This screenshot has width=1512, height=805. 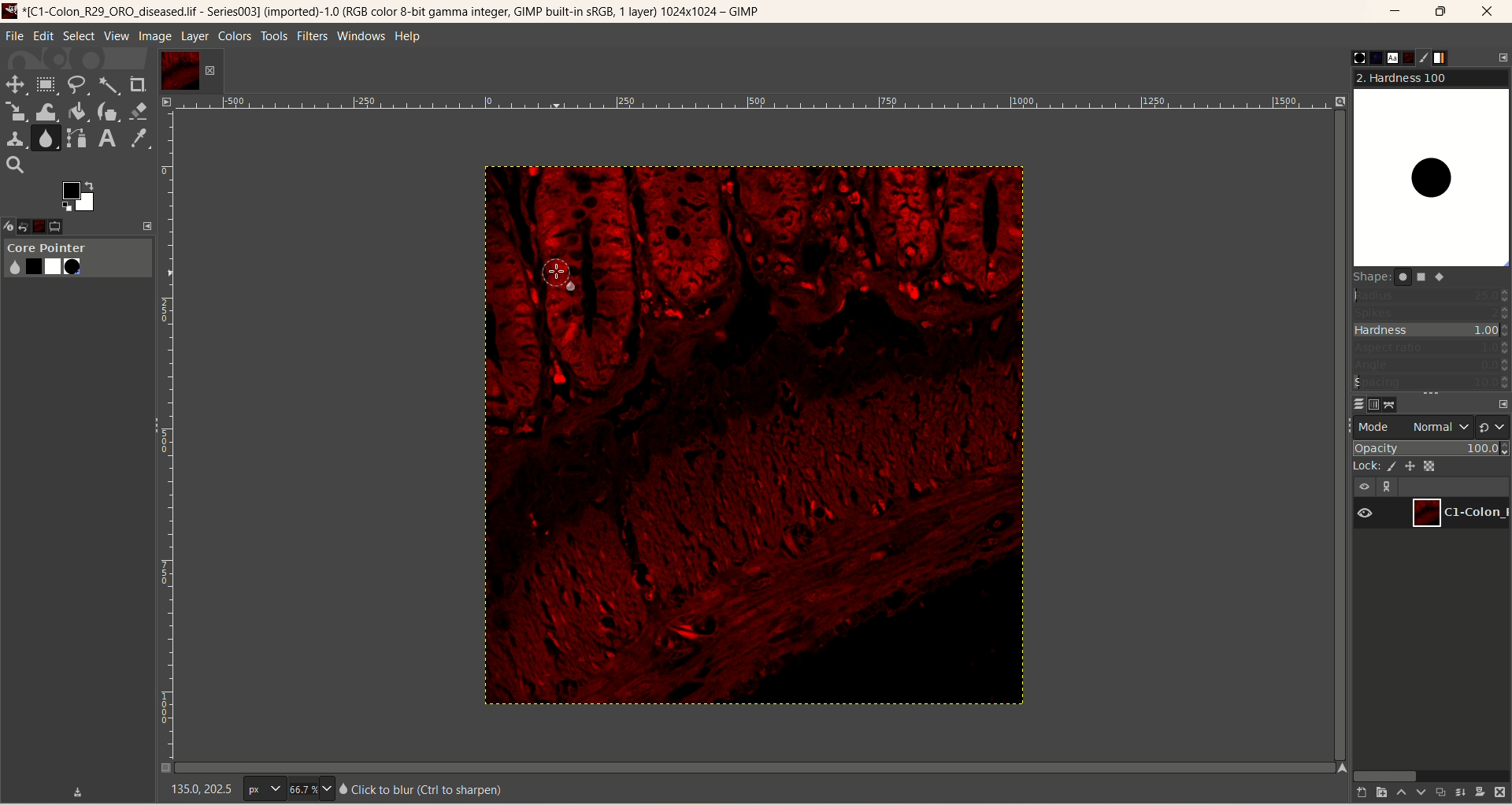 What do you see at coordinates (1370, 513) in the screenshot?
I see `visibility` at bounding box center [1370, 513].